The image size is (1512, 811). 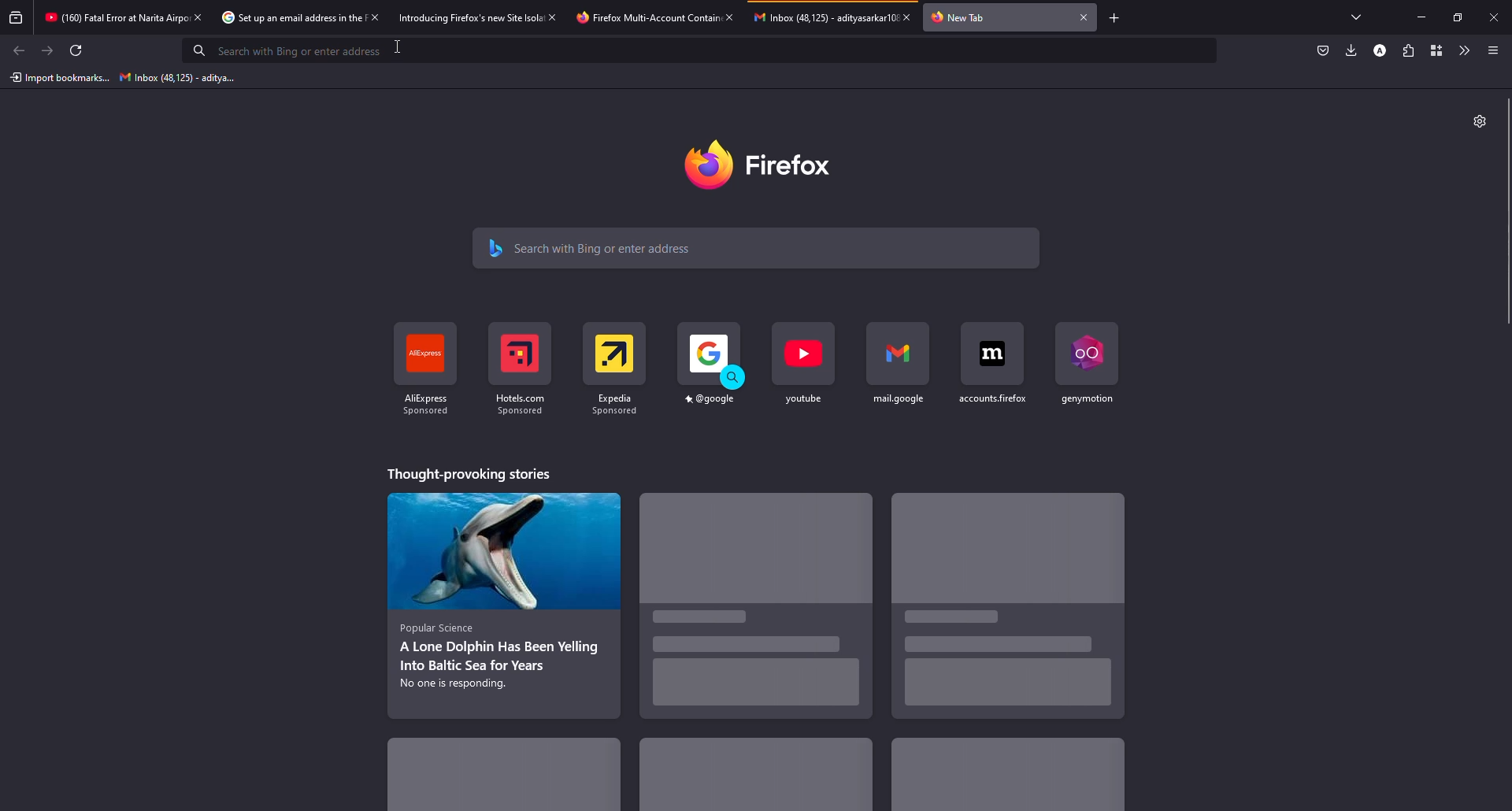 I want to click on stories, so click(x=754, y=776).